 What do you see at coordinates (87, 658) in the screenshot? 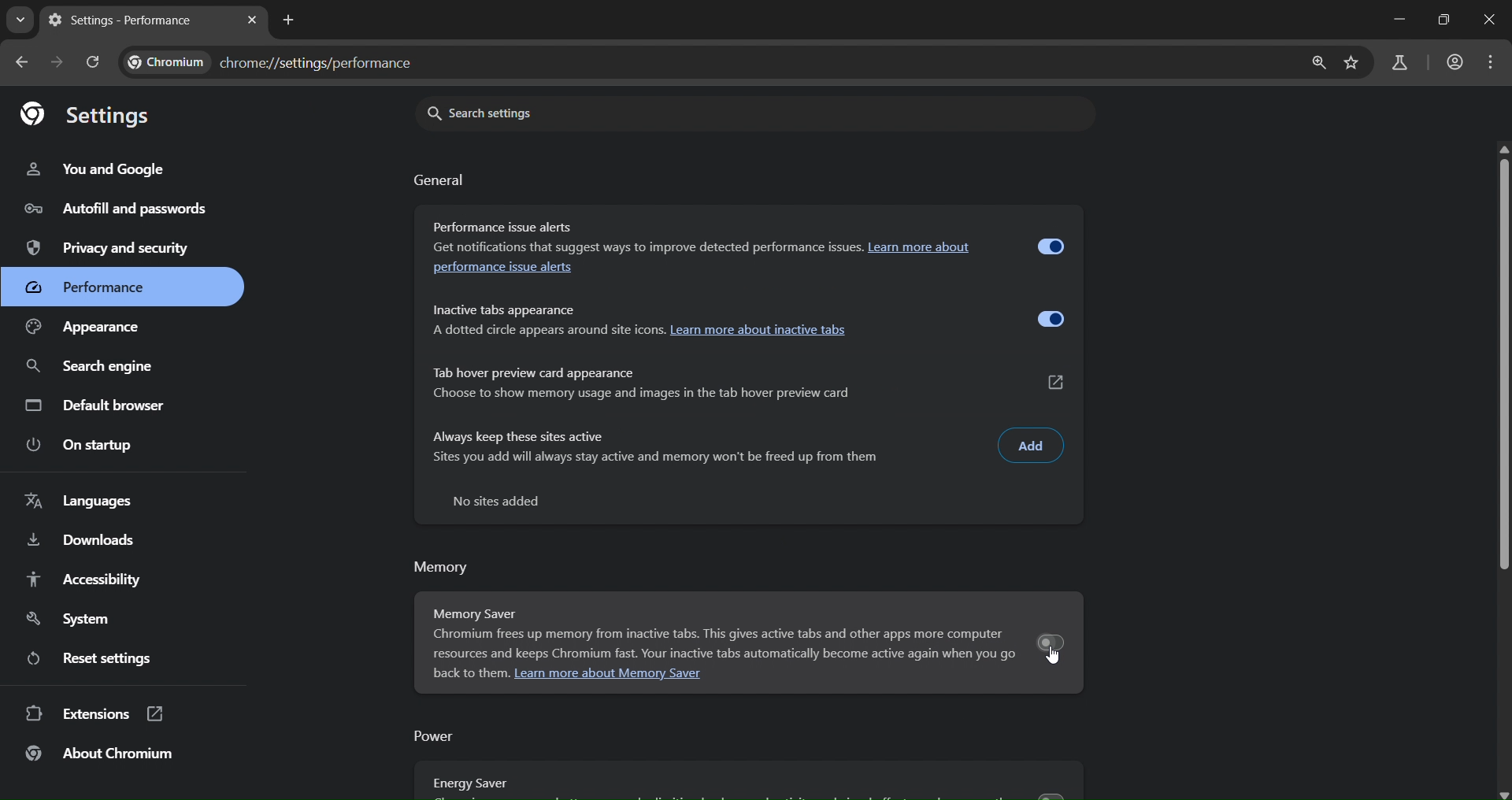
I see `reset settings` at bounding box center [87, 658].